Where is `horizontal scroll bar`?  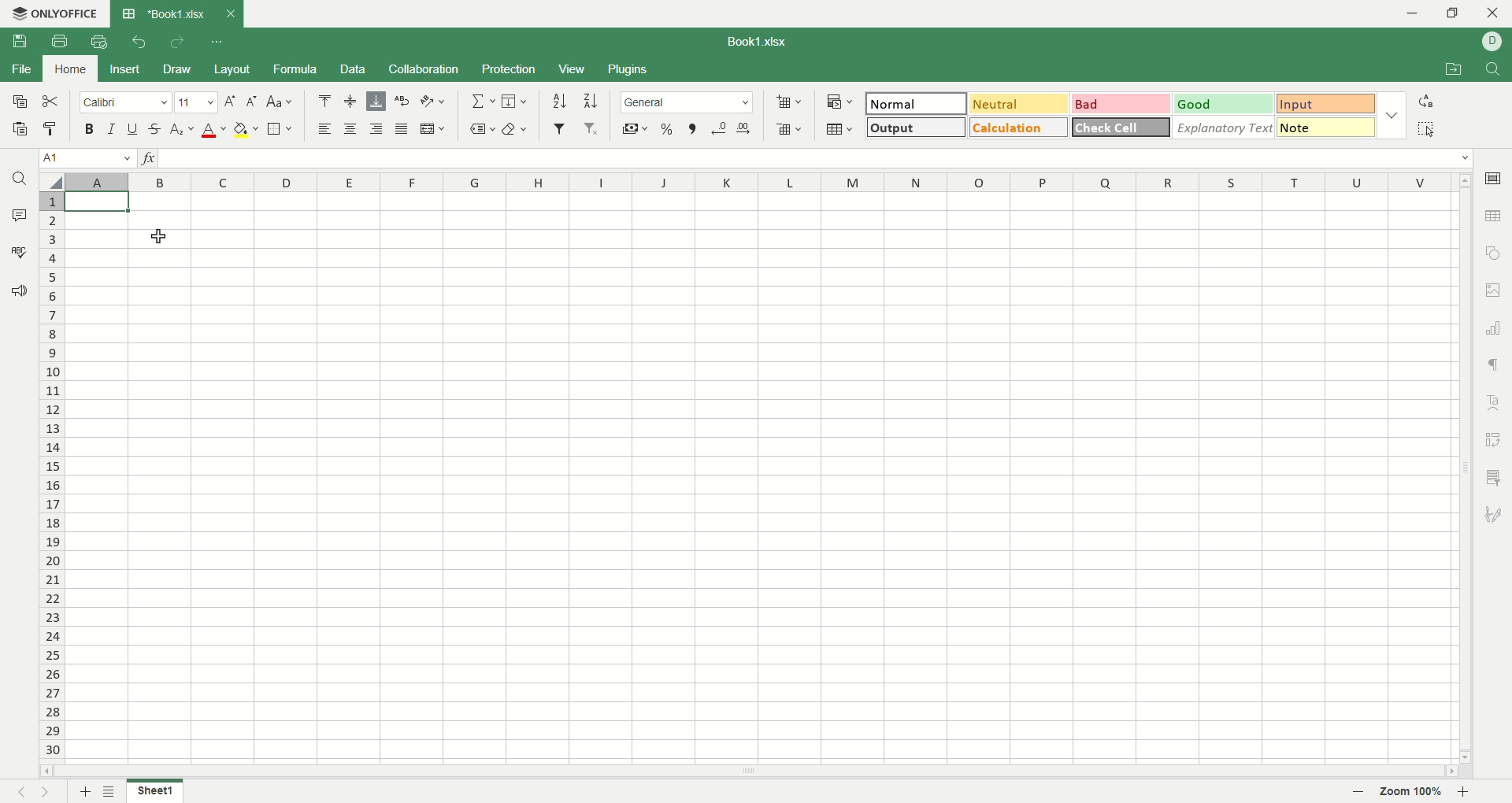 horizontal scroll bar is located at coordinates (752, 772).